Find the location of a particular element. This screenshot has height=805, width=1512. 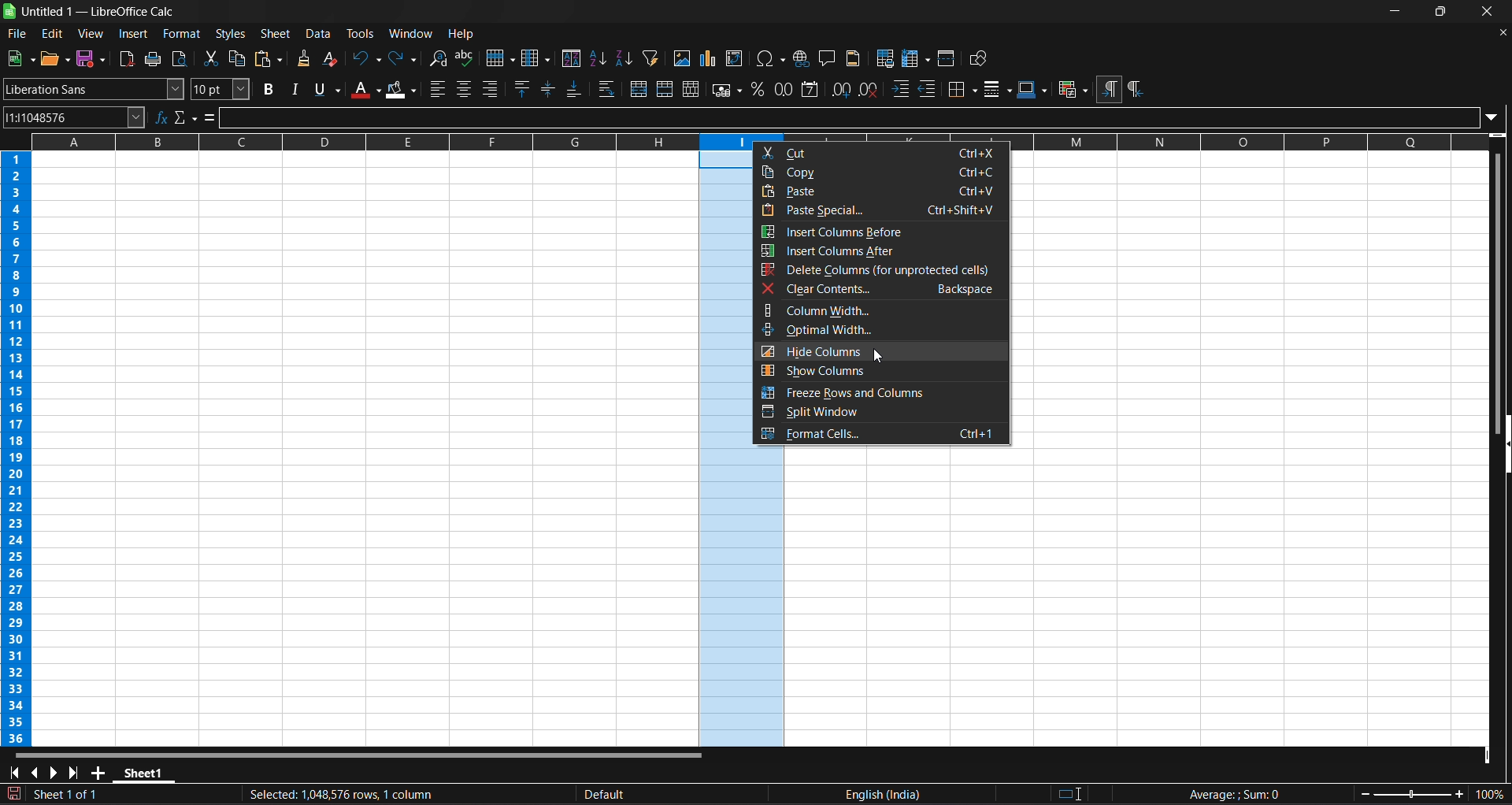

format as date is located at coordinates (812, 91).